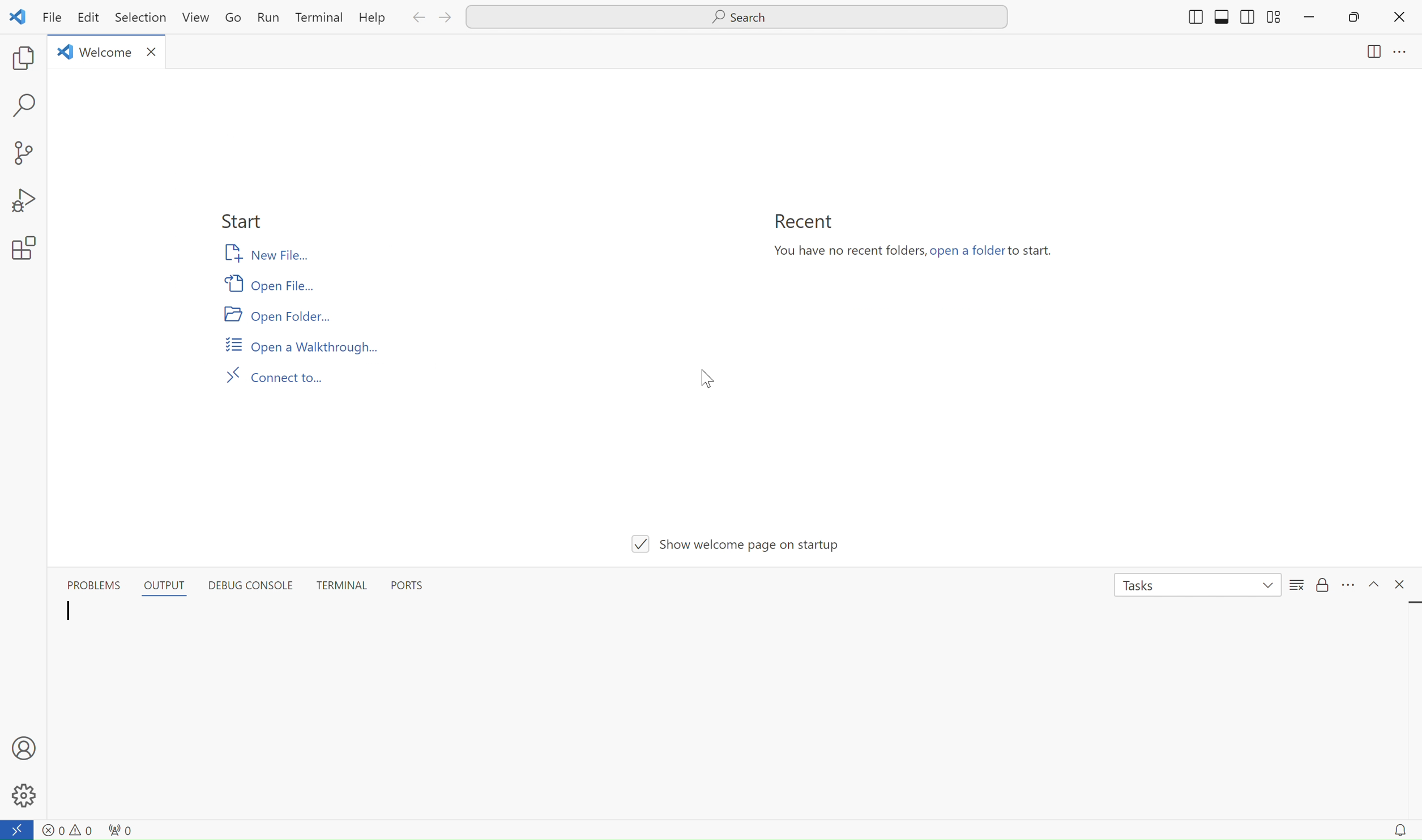 The width and height of the screenshot is (1422, 840). I want to click on accounts, so click(26, 748).